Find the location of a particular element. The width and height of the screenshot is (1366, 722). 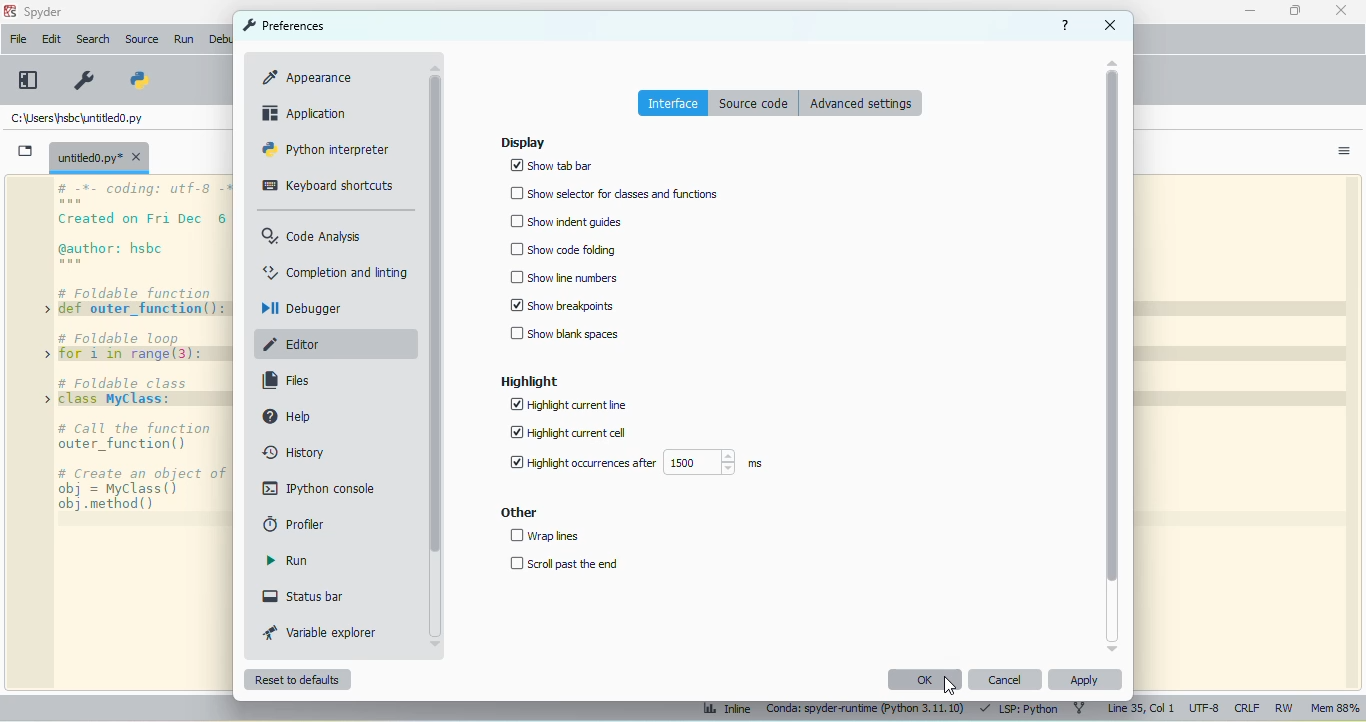

code analysis is located at coordinates (311, 236).